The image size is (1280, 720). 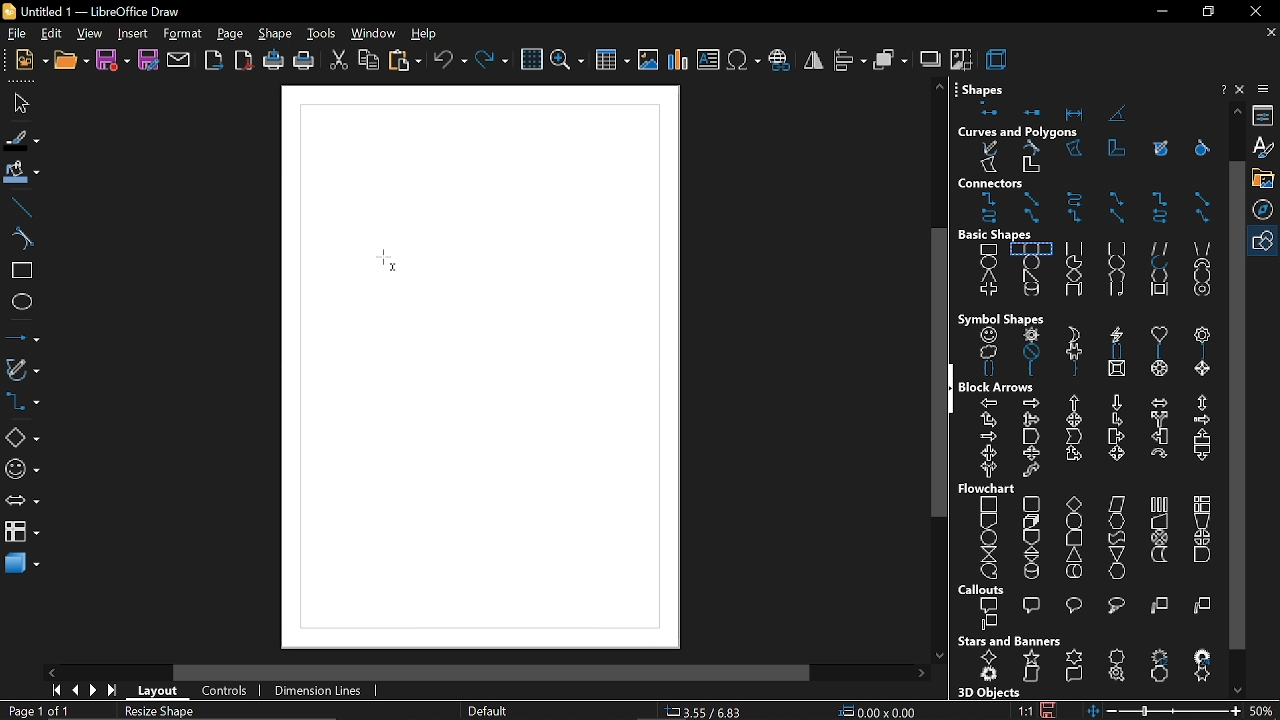 I want to click on insert table, so click(x=613, y=63).